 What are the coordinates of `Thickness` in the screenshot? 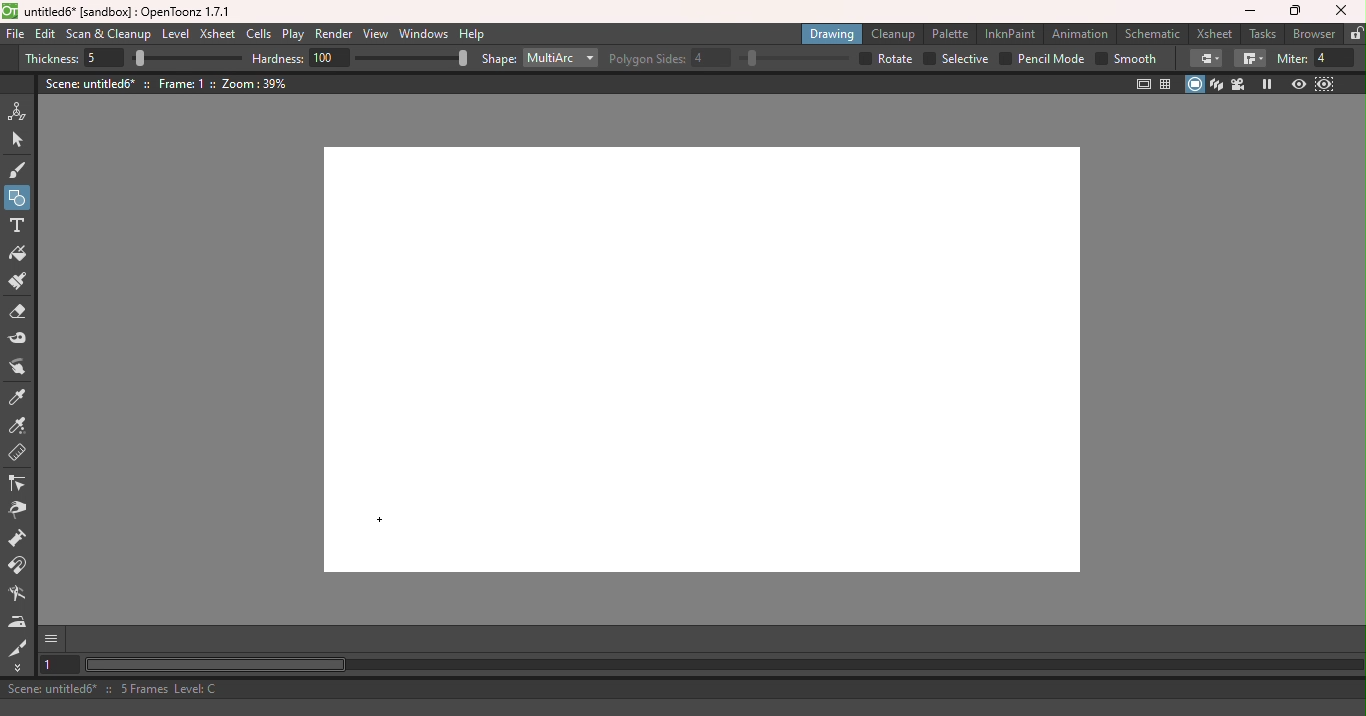 It's located at (74, 59).